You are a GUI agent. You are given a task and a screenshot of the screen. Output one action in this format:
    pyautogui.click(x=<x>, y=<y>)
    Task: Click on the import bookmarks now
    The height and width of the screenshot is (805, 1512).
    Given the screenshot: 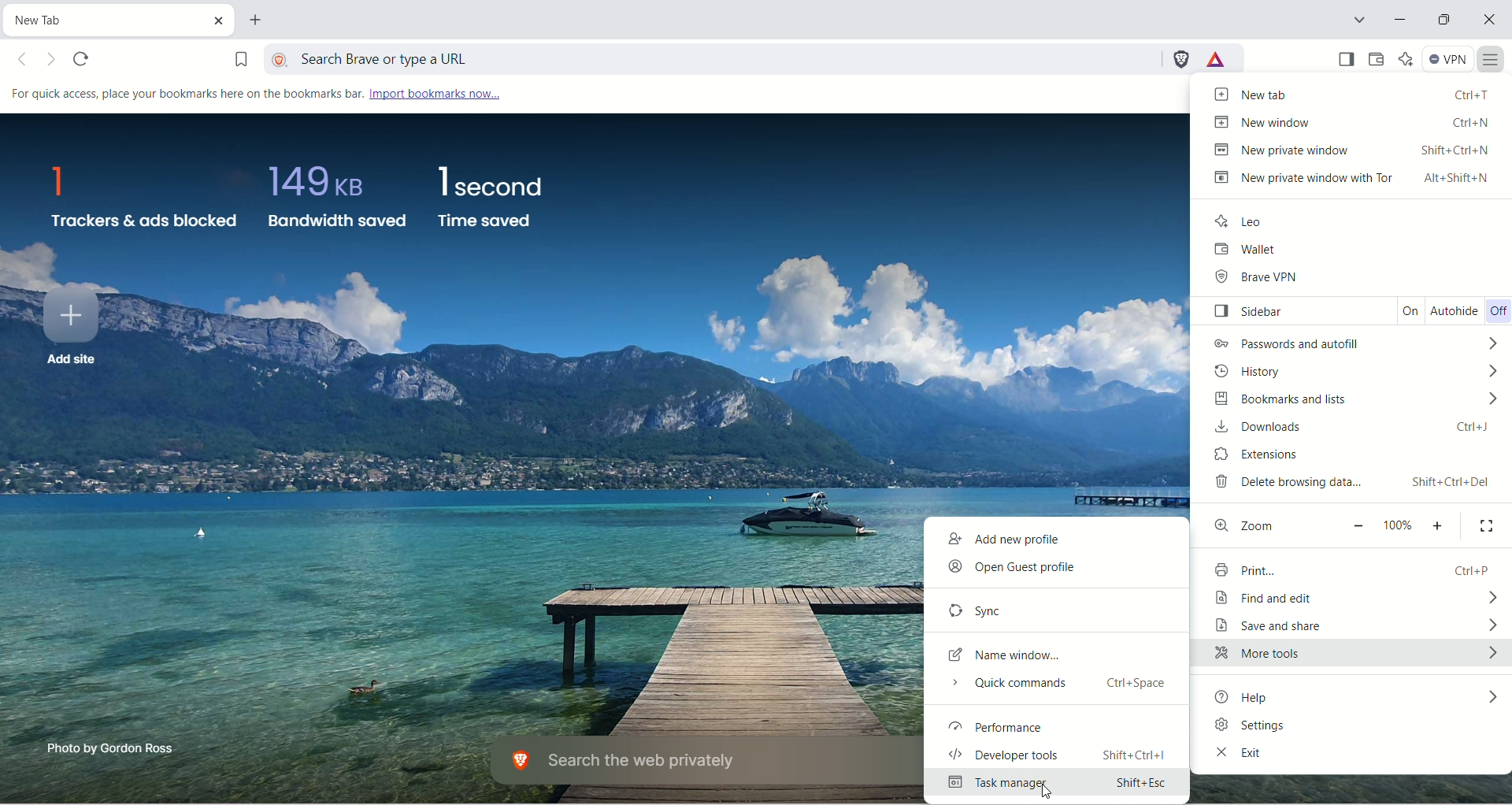 What is the action you would take?
    pyautogui.click(x=434, y=95)
    